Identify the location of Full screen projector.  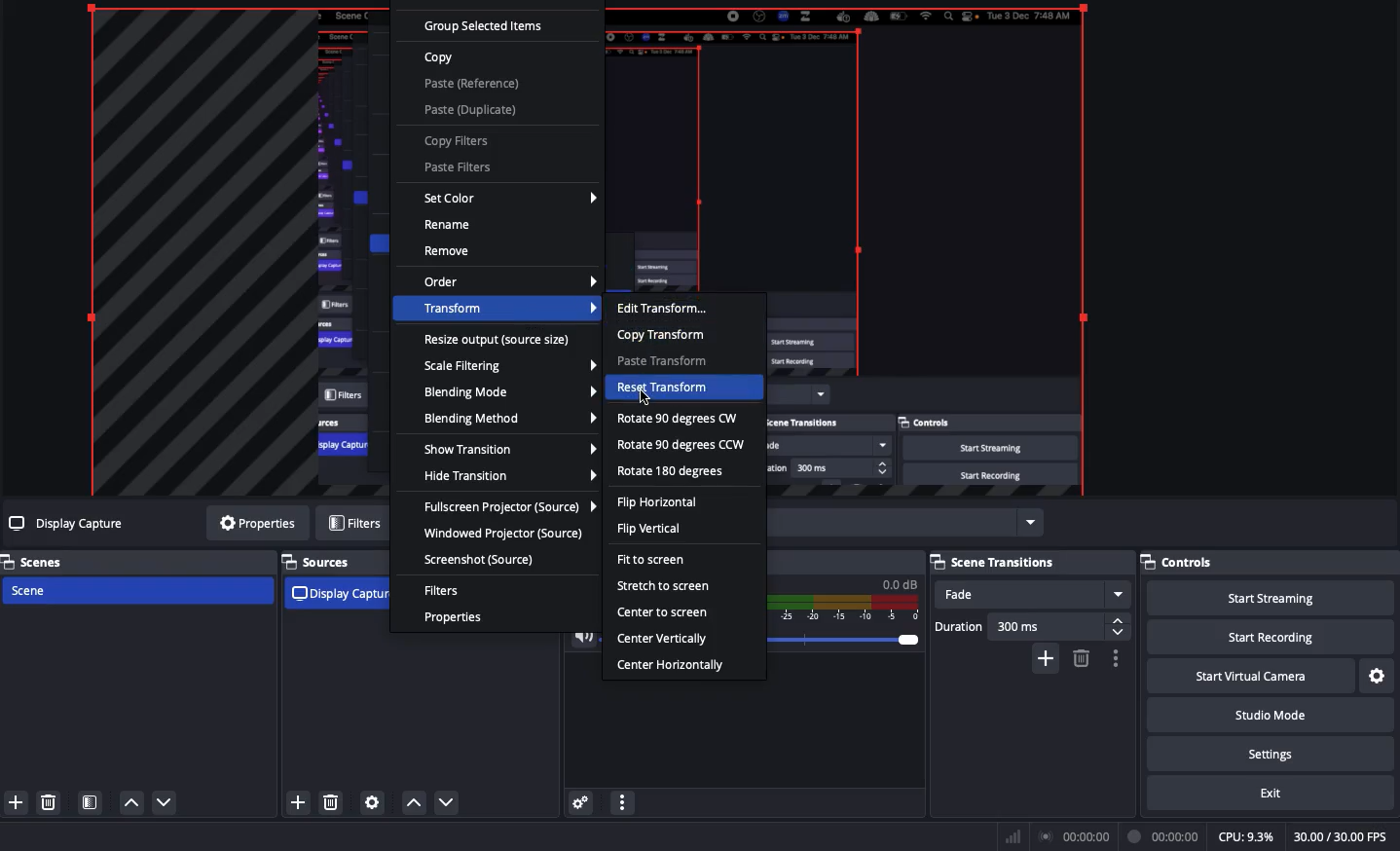
(510, 506).